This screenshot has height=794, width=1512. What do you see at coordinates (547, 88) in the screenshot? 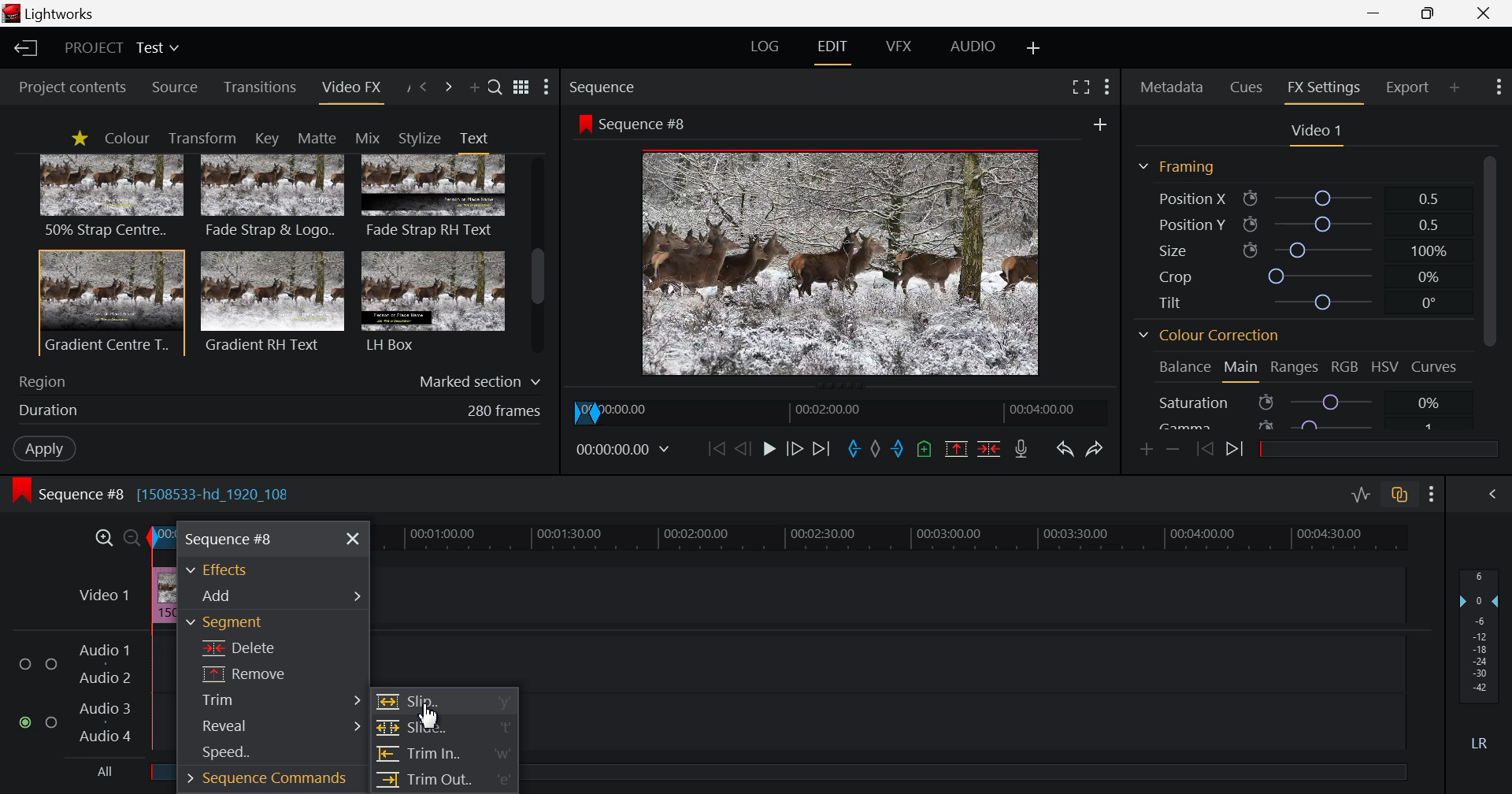
I see `Show Settings` at bounding box center [547, 88].